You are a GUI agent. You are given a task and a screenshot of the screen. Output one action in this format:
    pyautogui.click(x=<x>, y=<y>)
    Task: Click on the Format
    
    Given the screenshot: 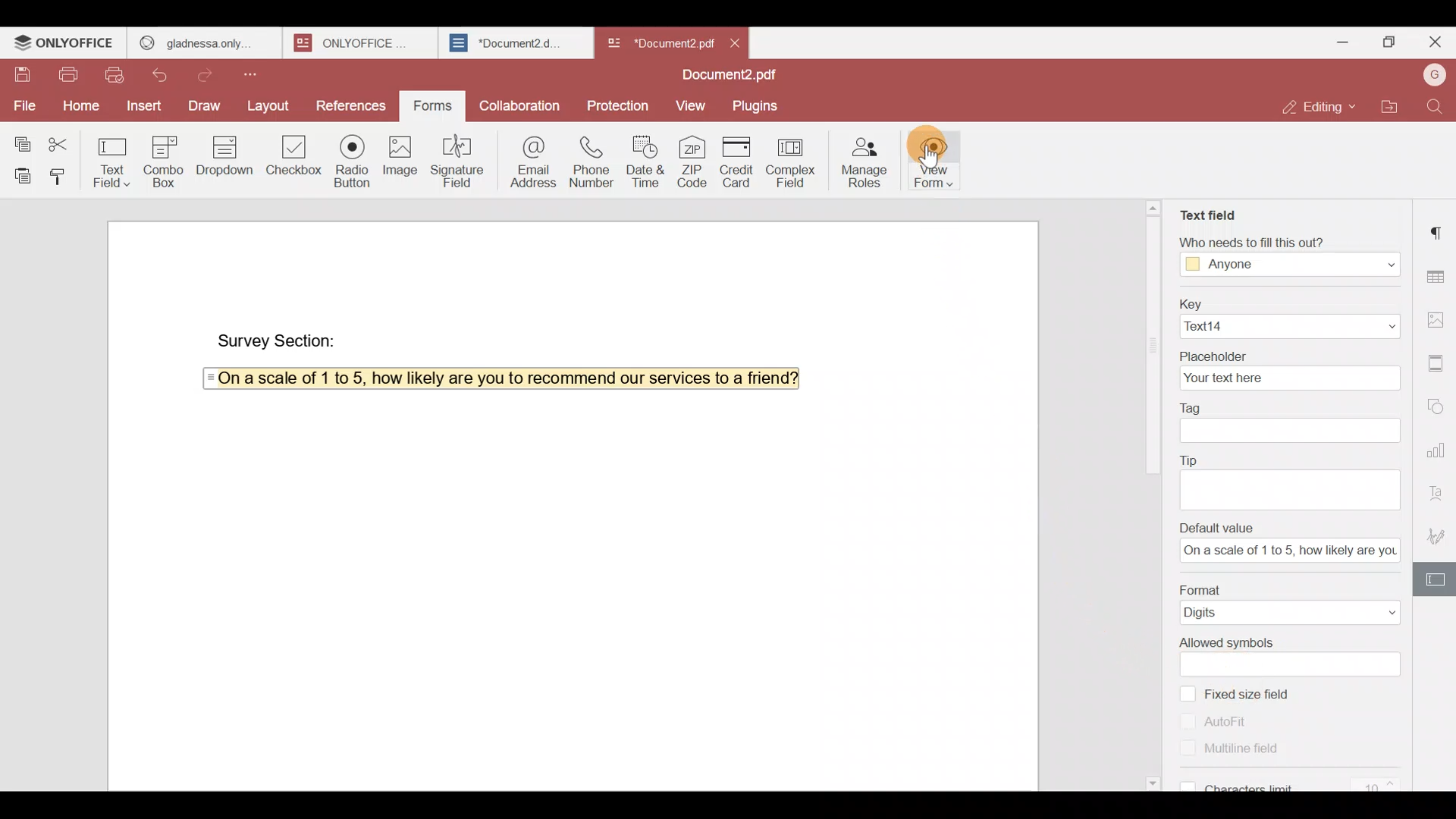 What is the action you would take?
    pyautogui.click(x=1288, y=587)
    